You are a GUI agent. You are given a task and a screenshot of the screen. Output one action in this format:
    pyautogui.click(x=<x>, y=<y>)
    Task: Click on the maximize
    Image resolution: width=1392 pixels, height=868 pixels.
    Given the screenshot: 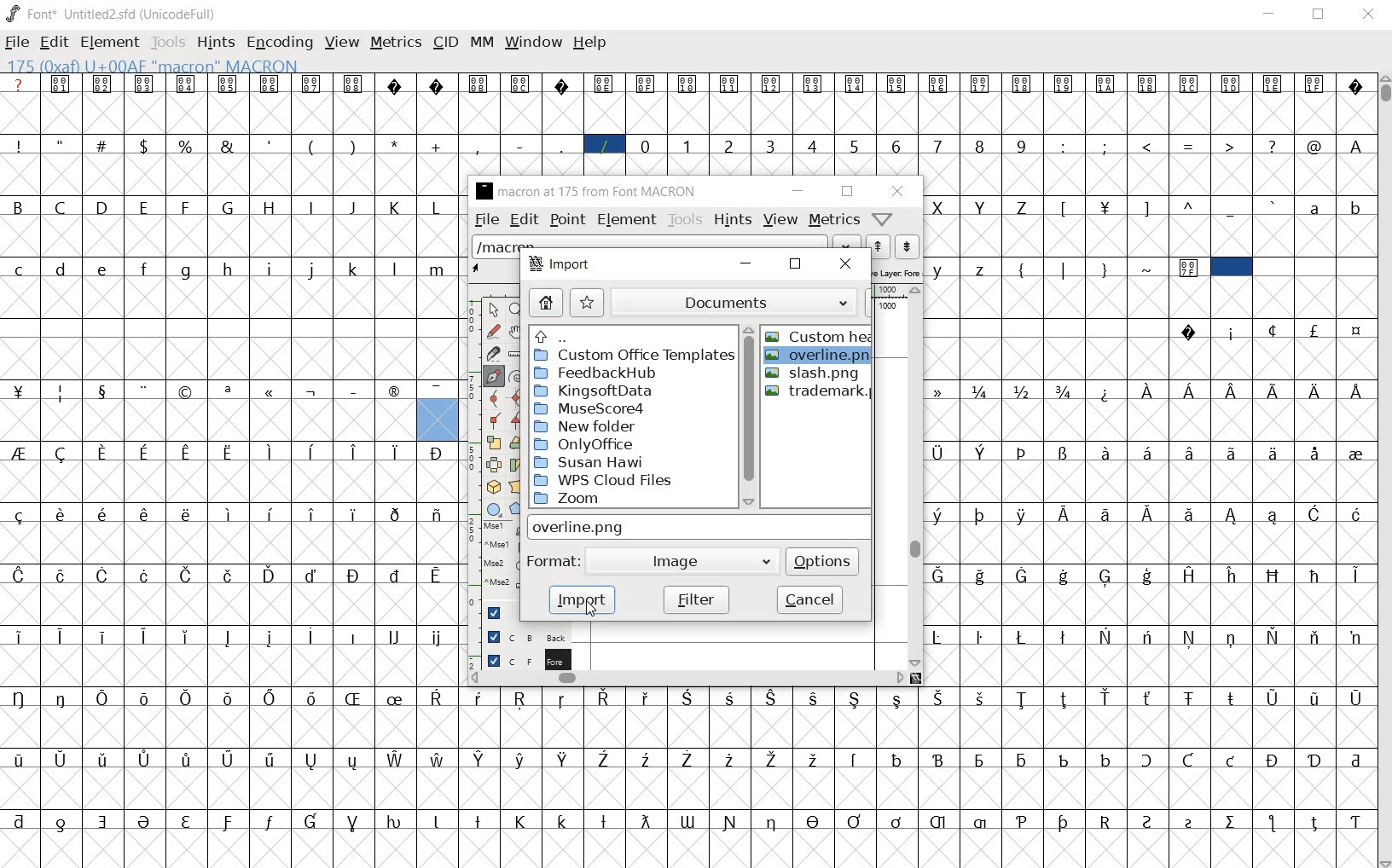 What is the action you would take?
    pyautogui.click(x=796, y=265)
    